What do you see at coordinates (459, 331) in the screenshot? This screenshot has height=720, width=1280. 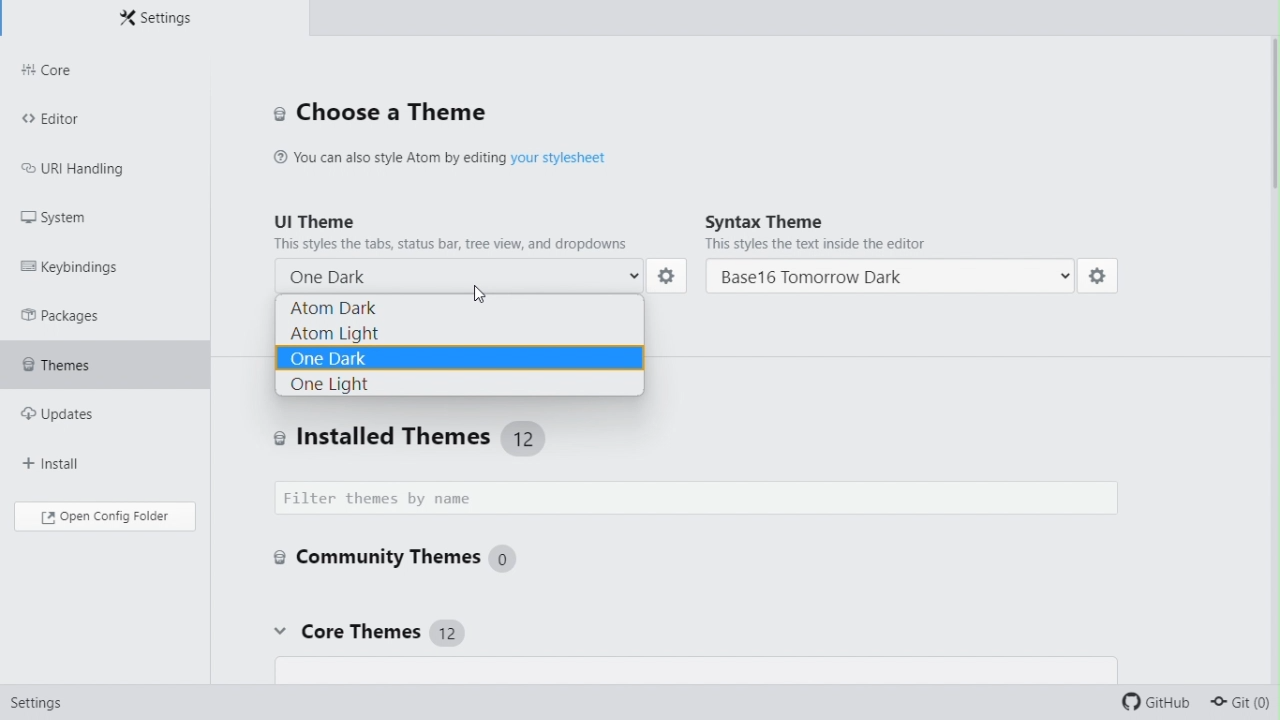 I see `atom Light` at bounding box center [459, 331].